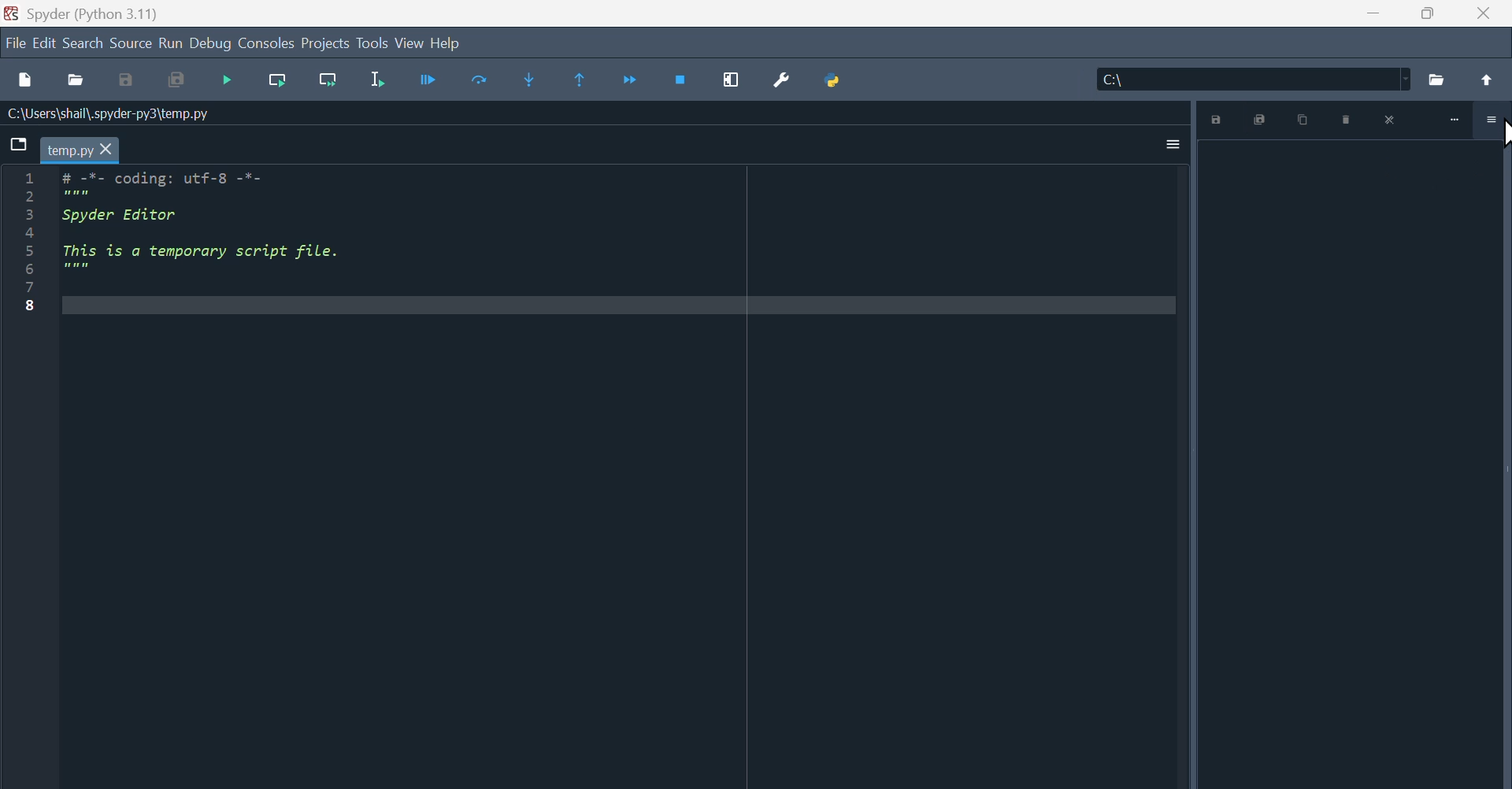 The width and height of the screenshot is (1512, 789). Describe the element at coordinates (1429, 13) in the screenshot. I see `Maximise` at that location.